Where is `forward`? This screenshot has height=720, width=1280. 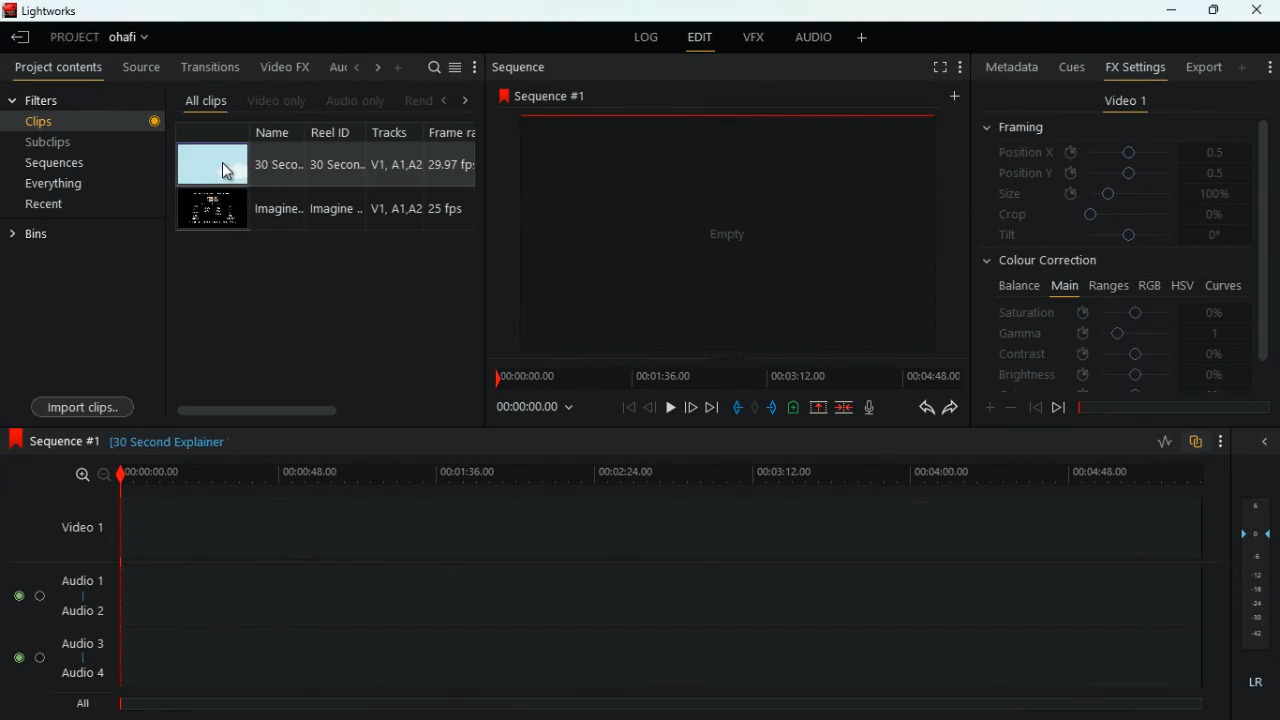
forward is located at coordinates (950, 408).